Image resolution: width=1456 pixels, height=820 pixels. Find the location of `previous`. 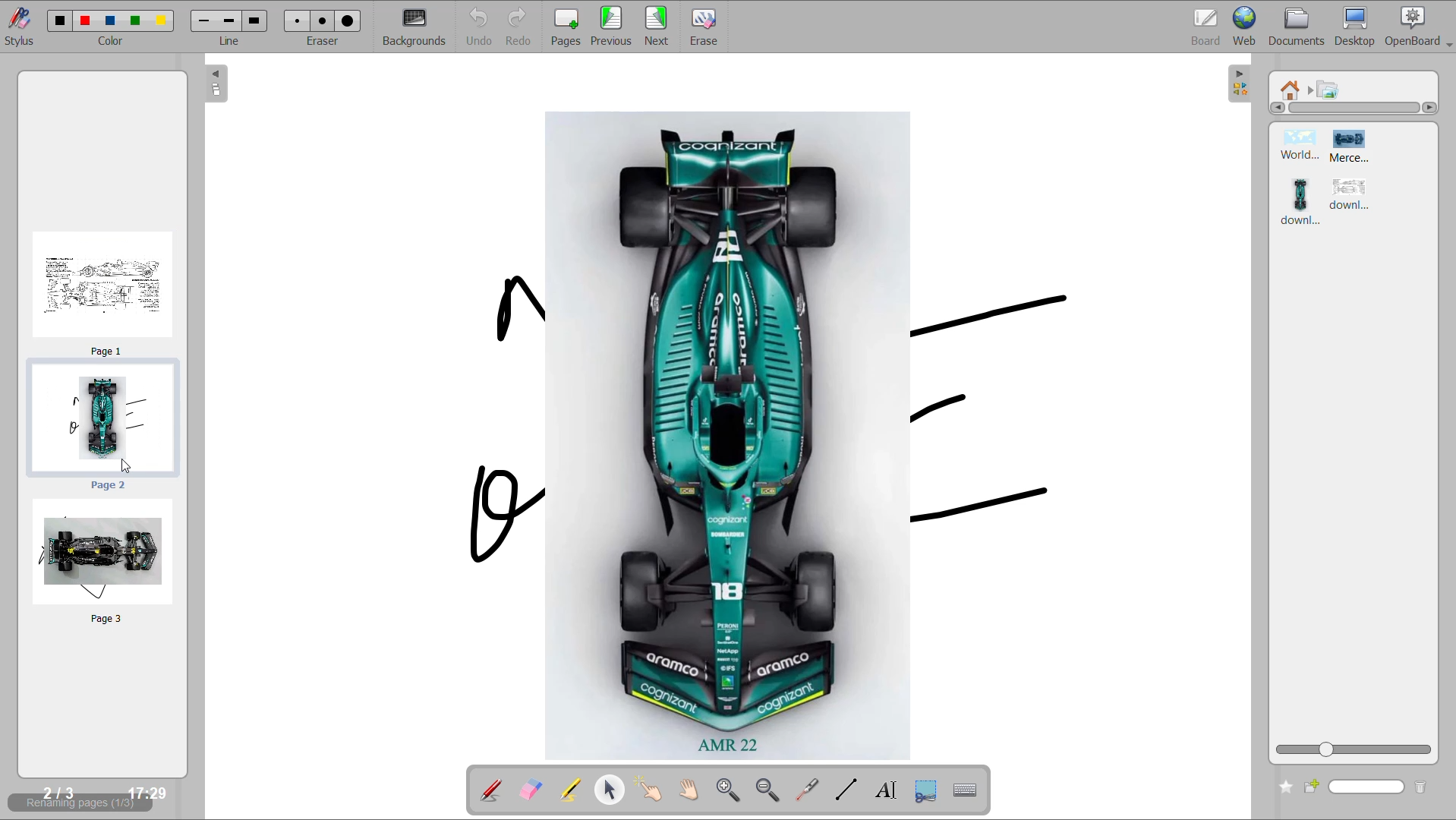

previous is located at coordinates (612, 27).